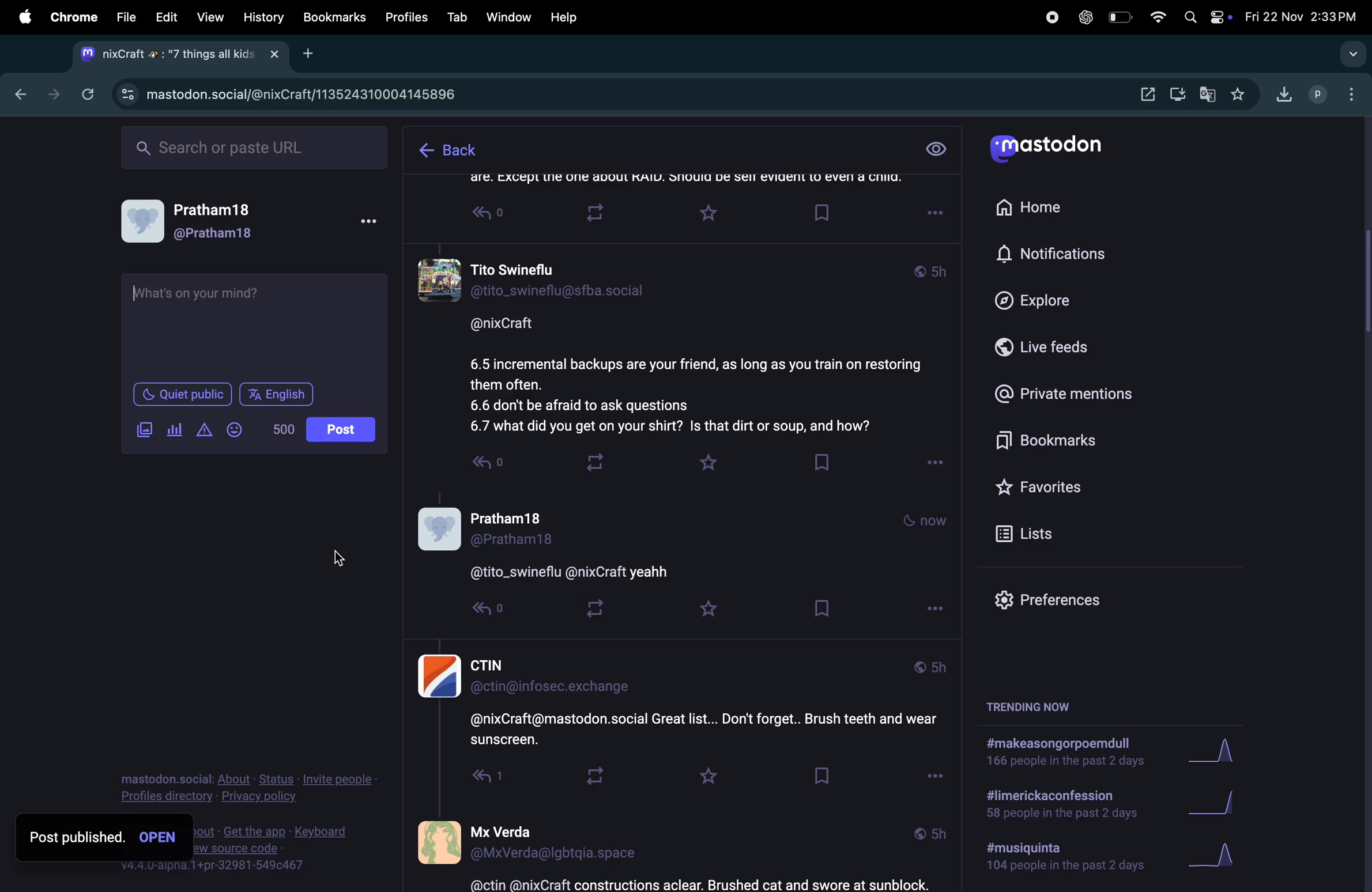 The image size is (1372, 892). What do you see at coordinates (1148, 95) in the screenshot?
I see `open window` at bounding box center [1148, 95].